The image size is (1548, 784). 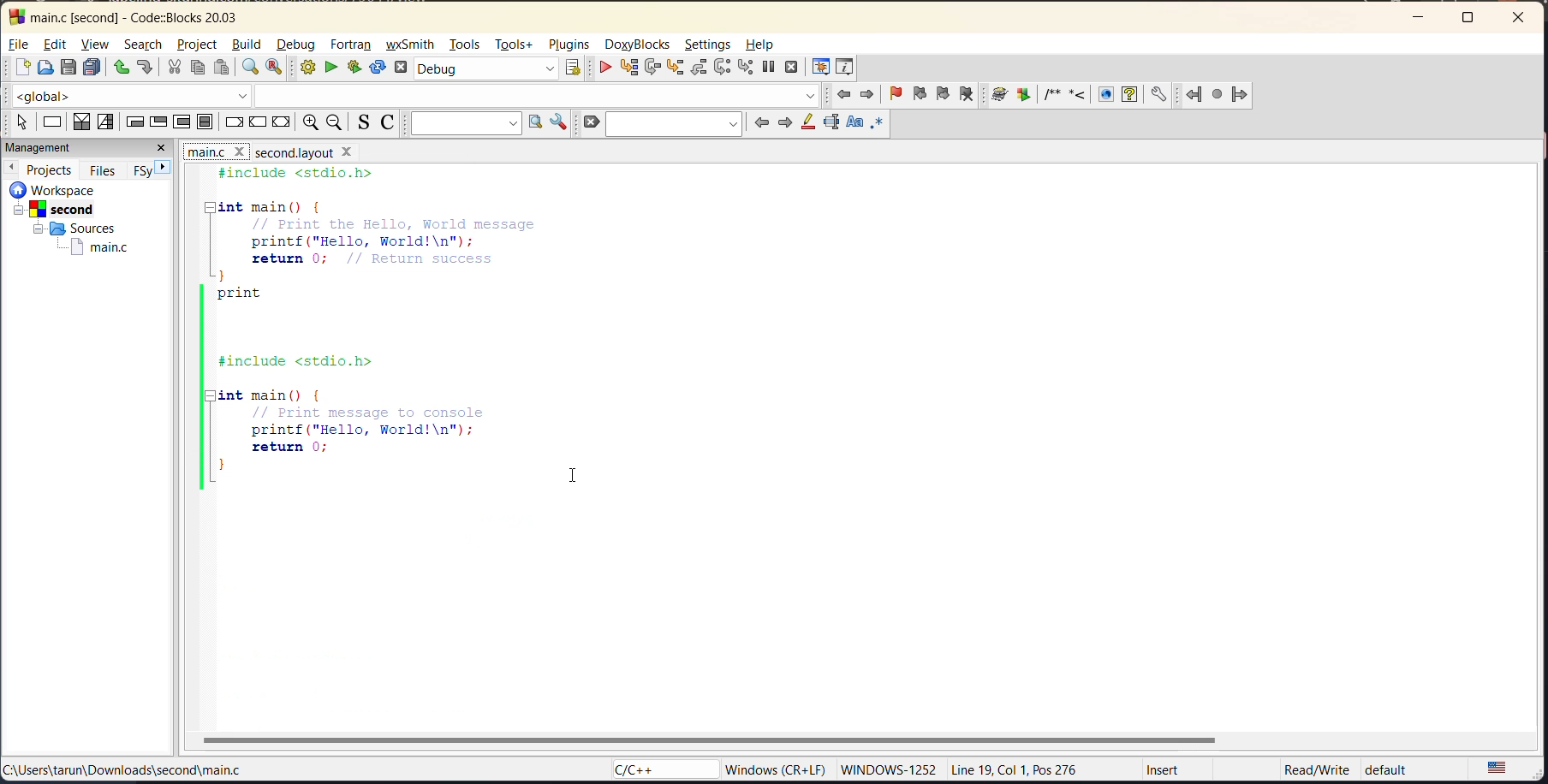 What do you see at coordinates (854, 122) in the screenshot?
I see `match case` at bounding box center [854, 122].